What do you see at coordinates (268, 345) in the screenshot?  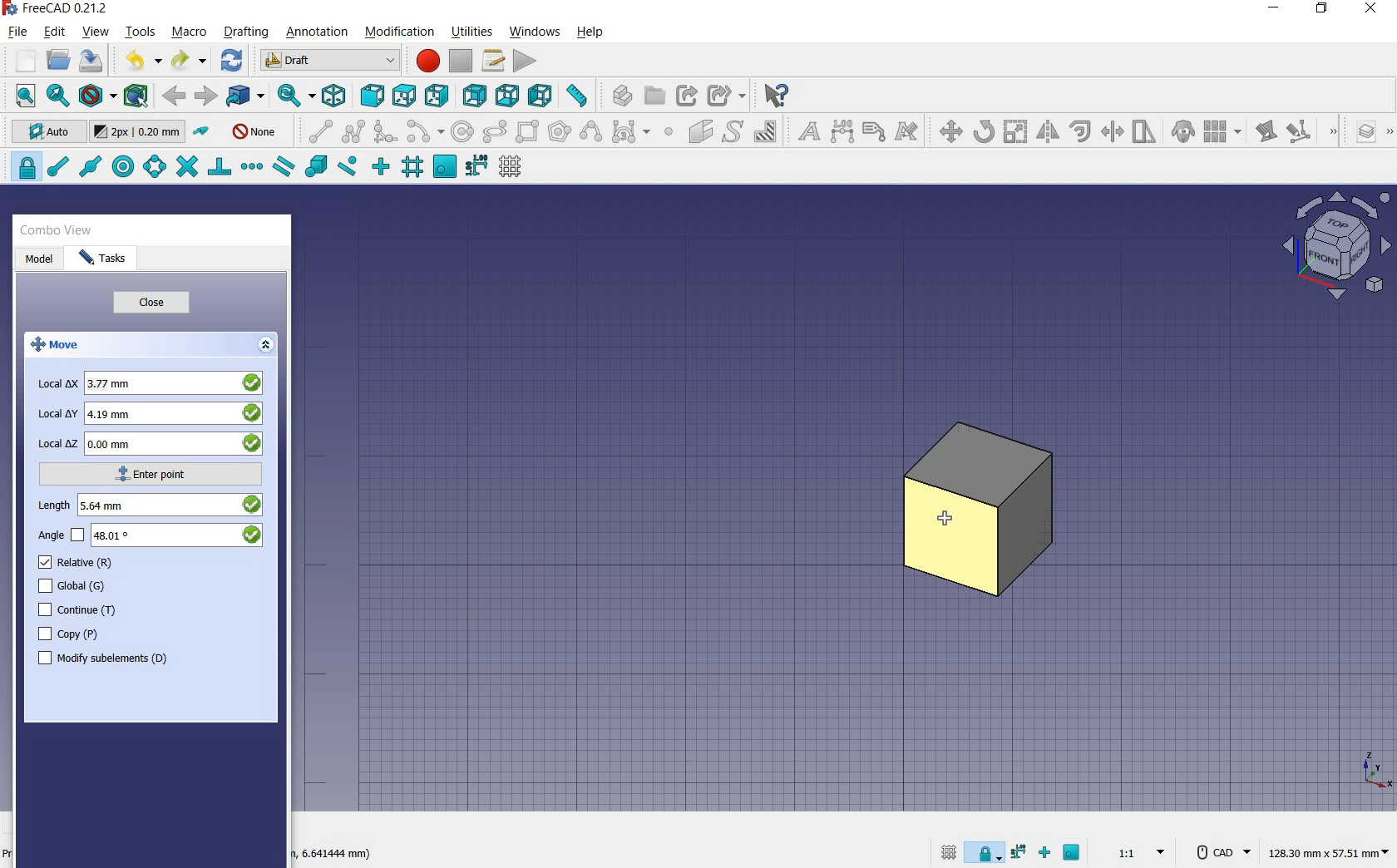 I see `expand` at bounding box center [268, 345].